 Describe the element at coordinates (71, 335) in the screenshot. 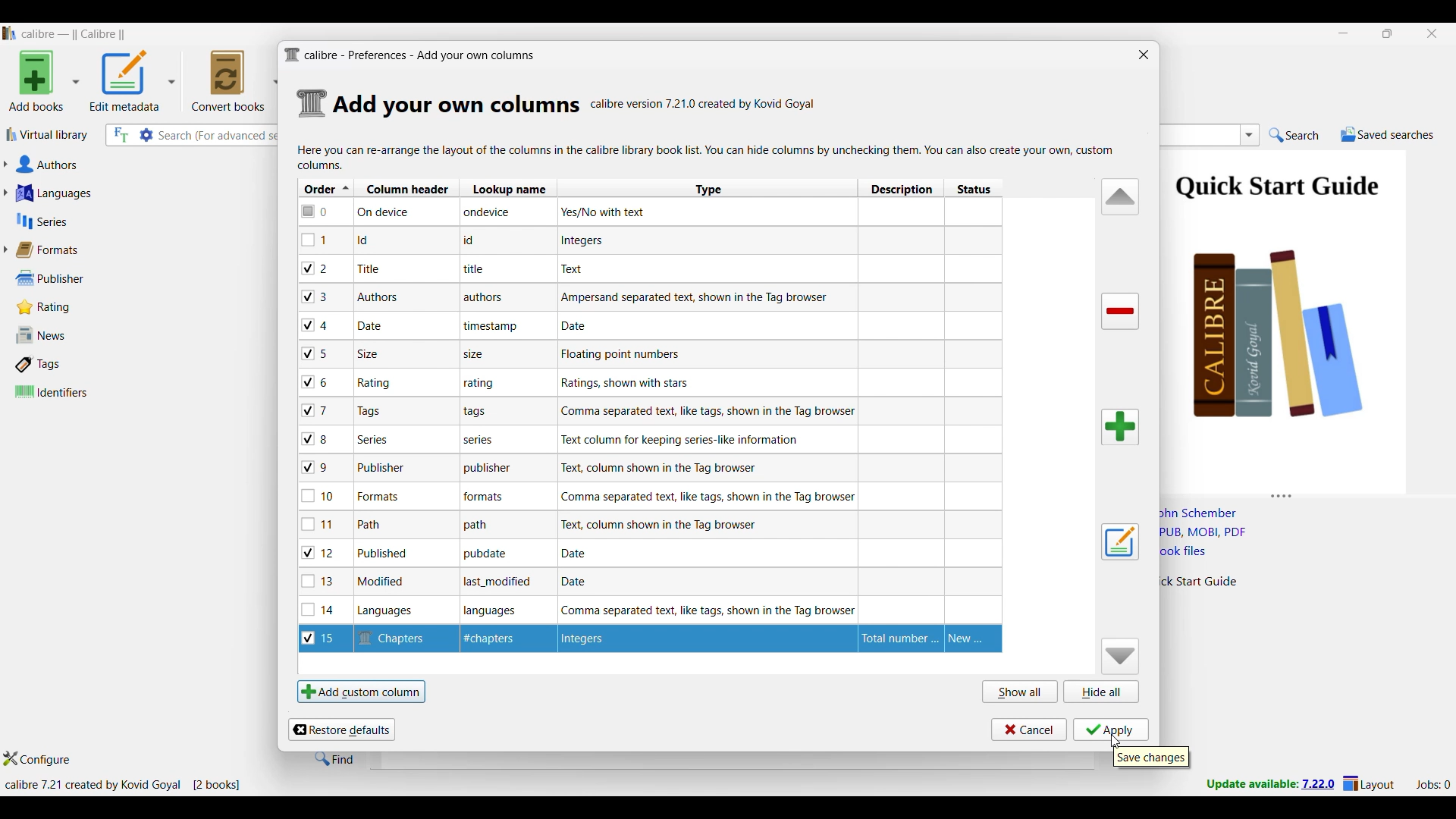

I see `News` at that location.